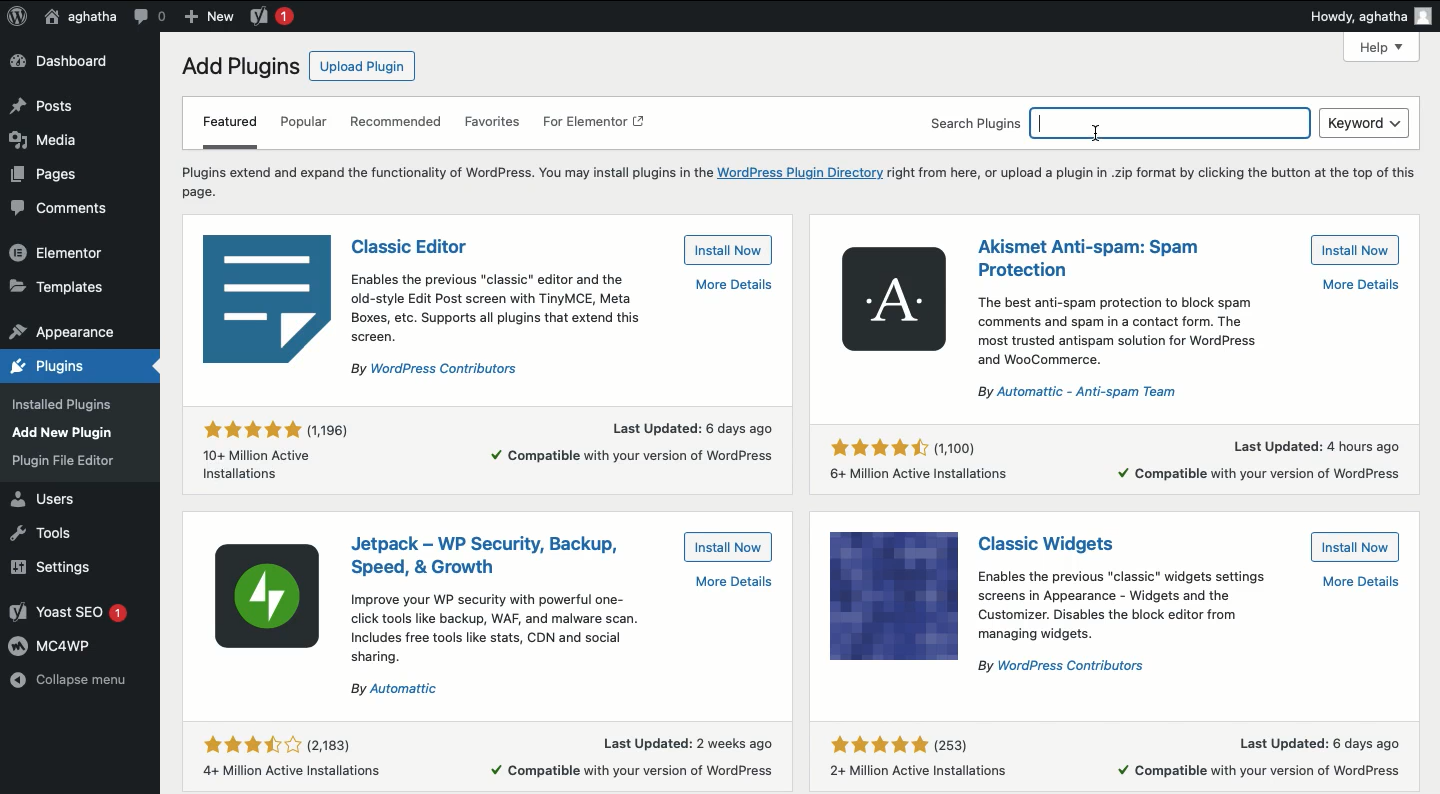 Image resolution: width=1440 pixels, height=794 pixels. What do you see at coordinates (44, 105) in the screenshot?
I see `Posts` at bounding box center [44, 105].